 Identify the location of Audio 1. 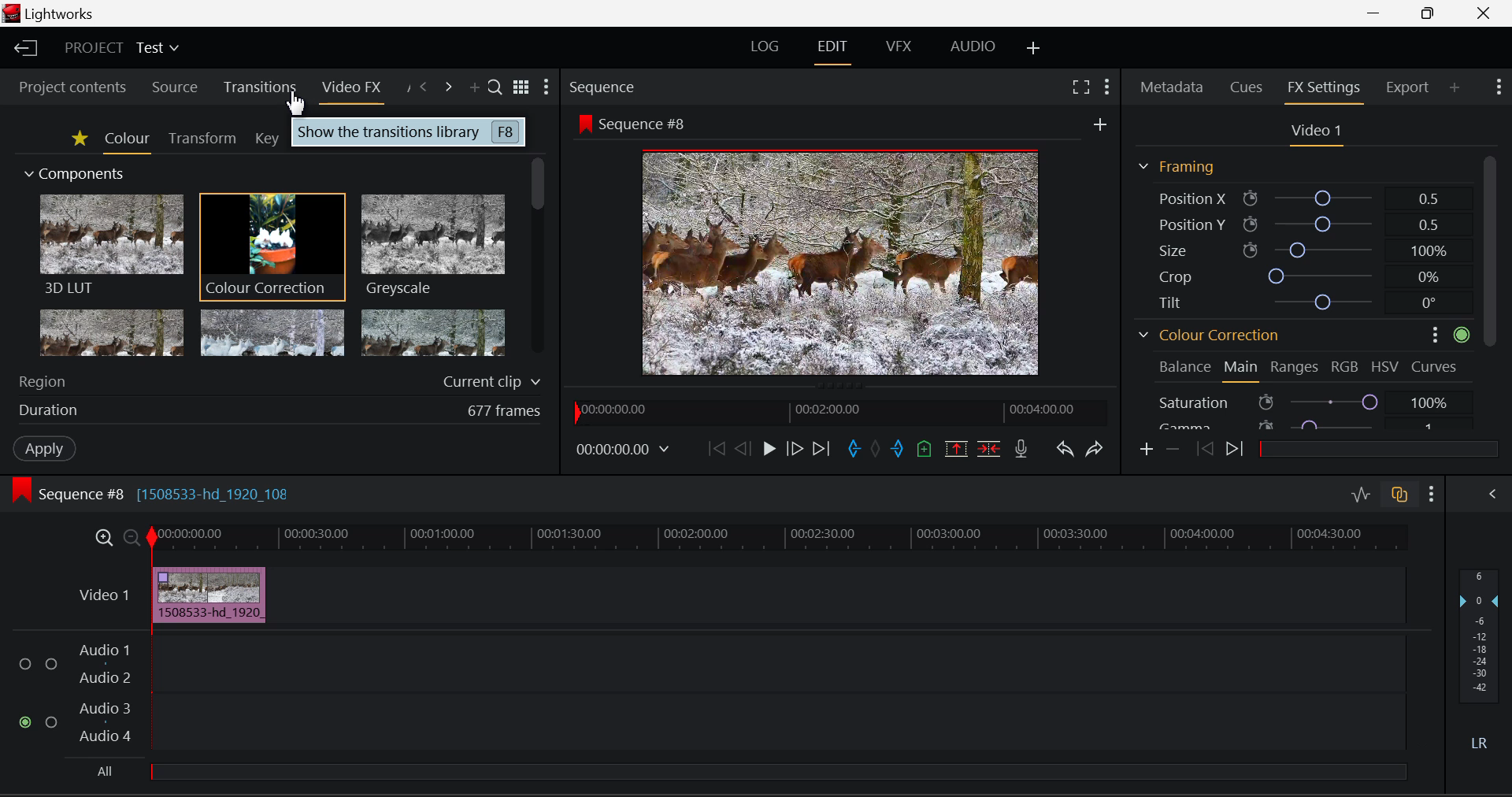
(104, 651).